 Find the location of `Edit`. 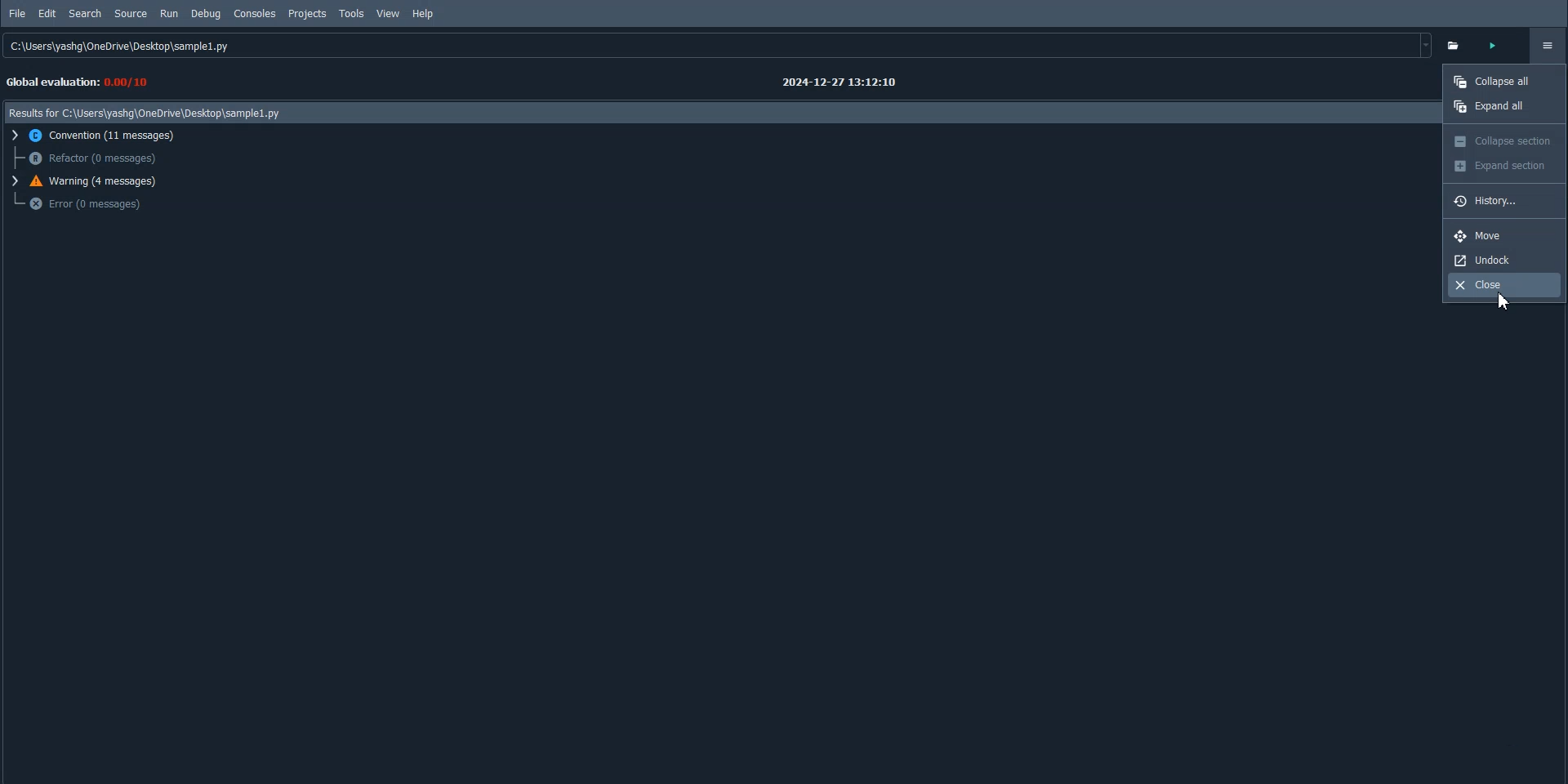

Edit is located at coordinates (47, 13).